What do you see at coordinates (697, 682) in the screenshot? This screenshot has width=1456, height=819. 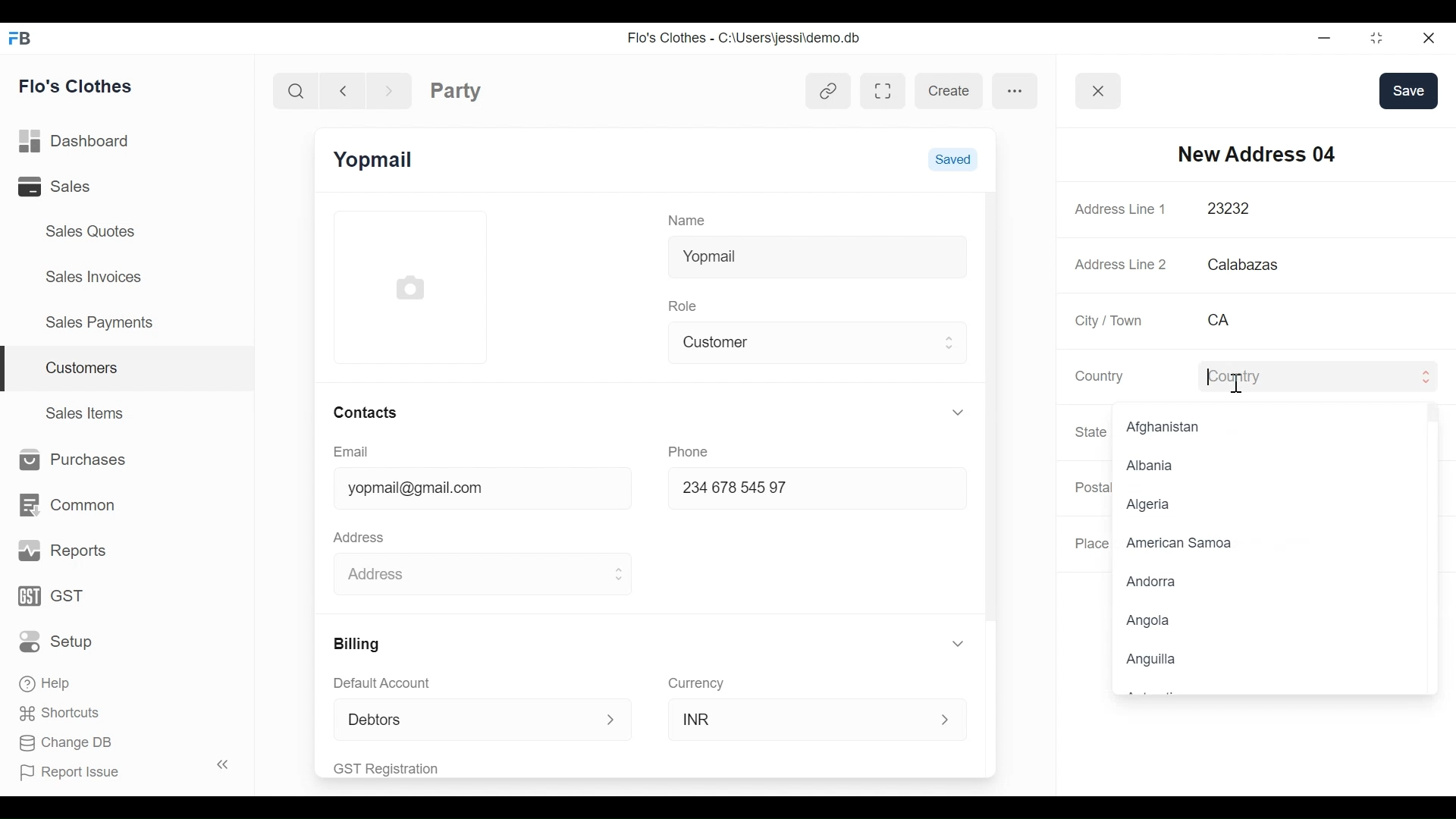 I see `Currency` at bounding box center [697, 682].